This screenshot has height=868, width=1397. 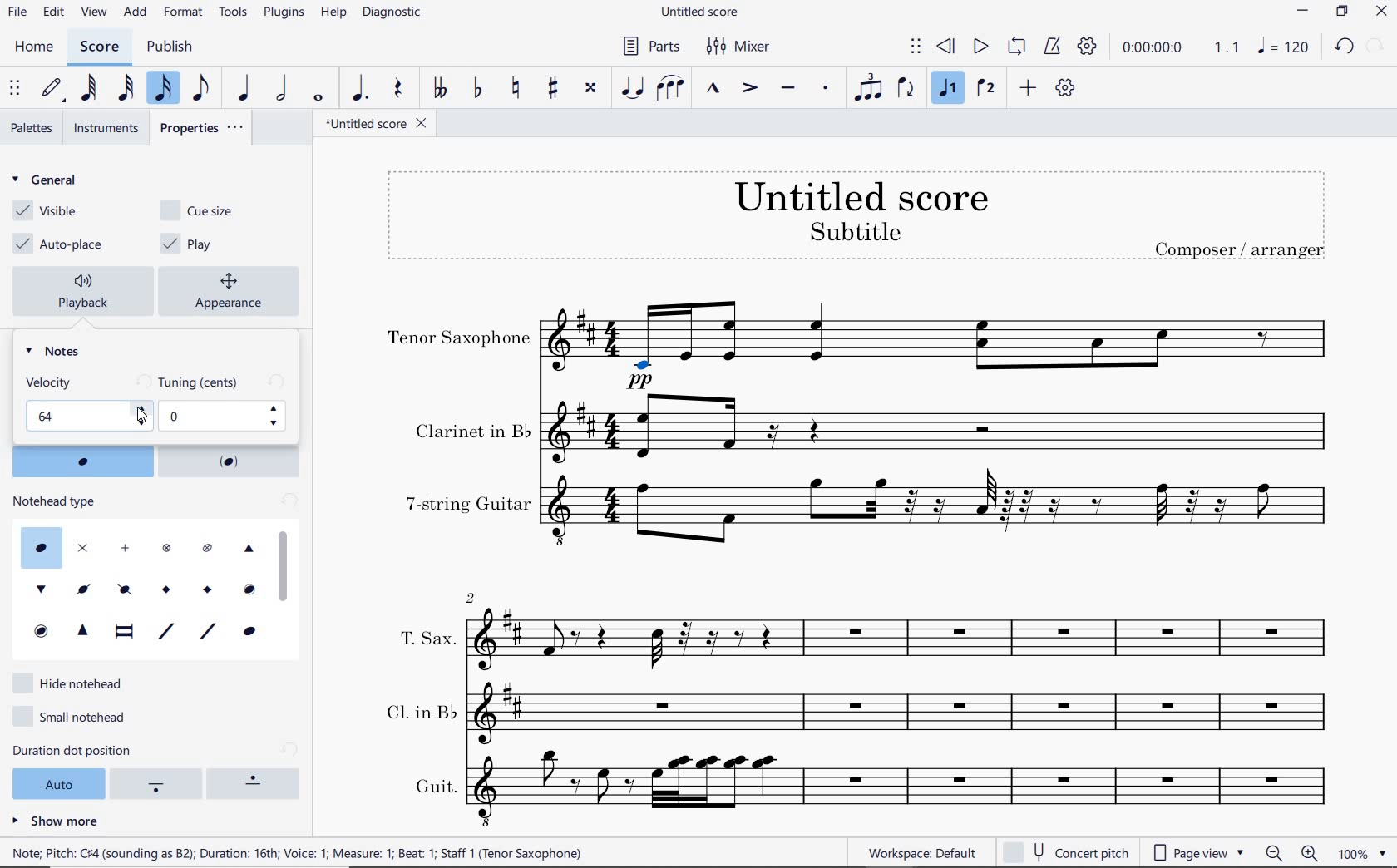 What do you see at coordinates (76, 415) in the screenshot?
I see `velocity` at bounding box center [76, 415].